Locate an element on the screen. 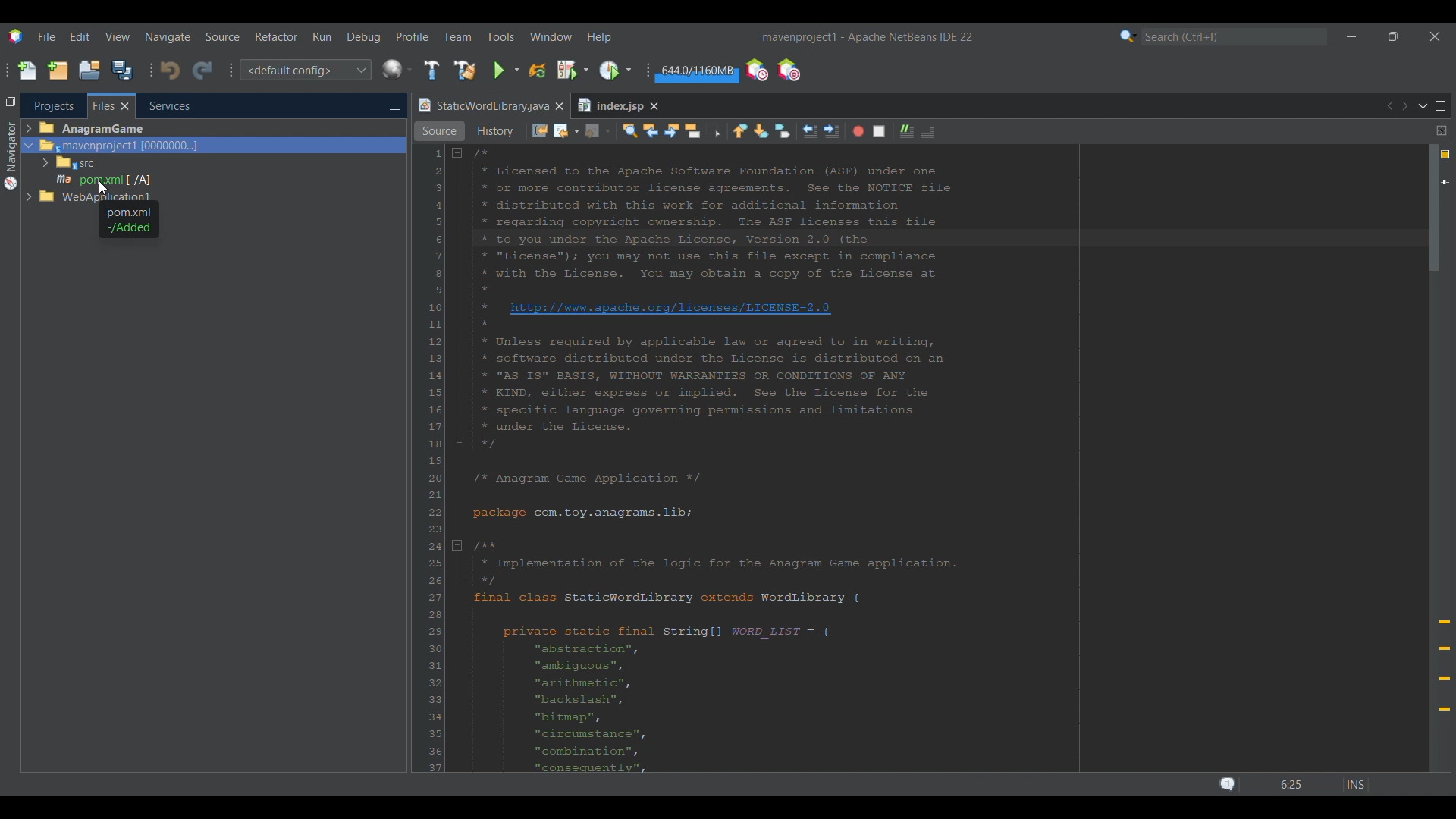 The image size is (1456, 819). New project is located at coordinates (58, 70).